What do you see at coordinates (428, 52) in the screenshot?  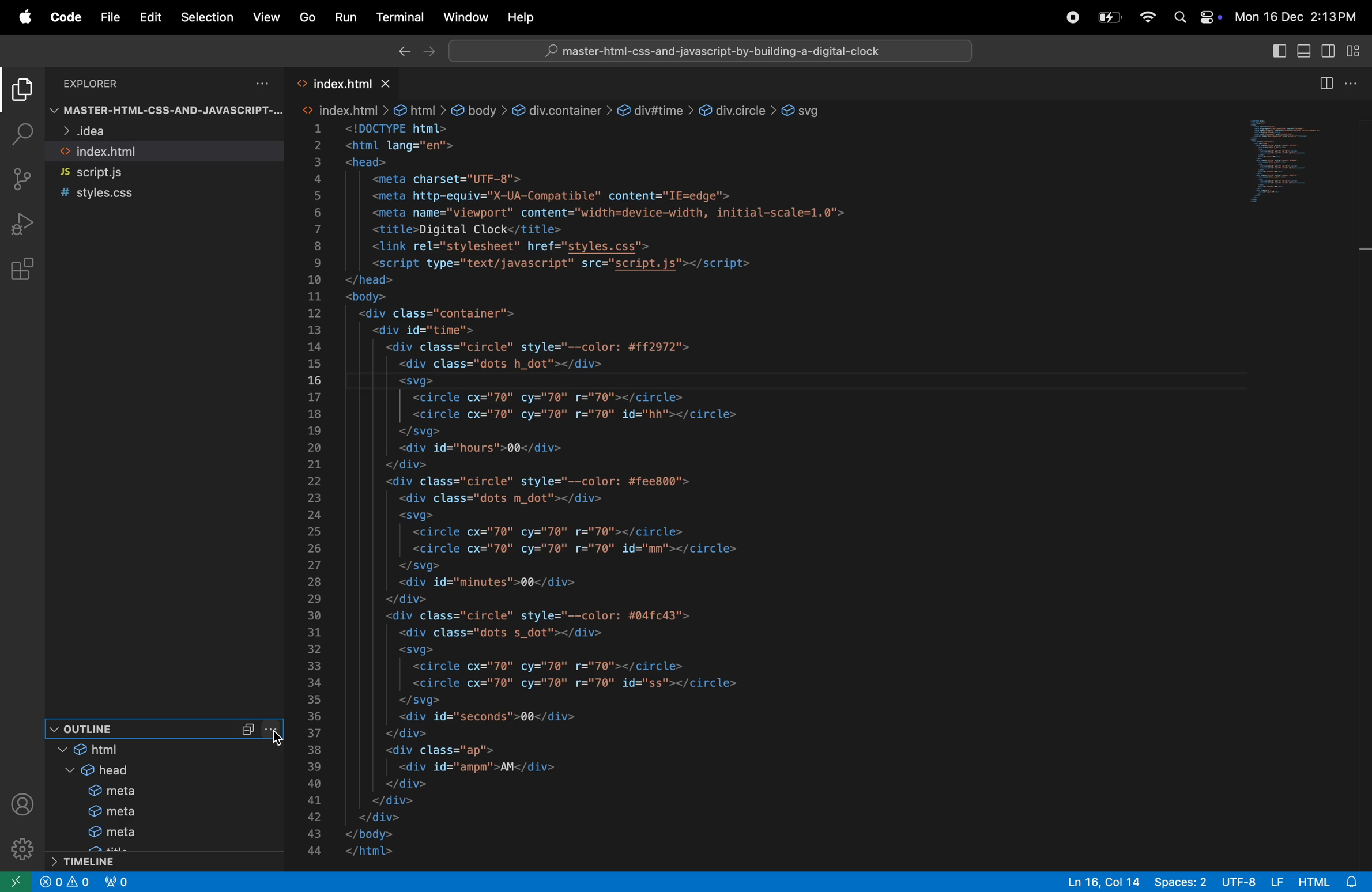 I see `forward` at bounding box center [428, 52].